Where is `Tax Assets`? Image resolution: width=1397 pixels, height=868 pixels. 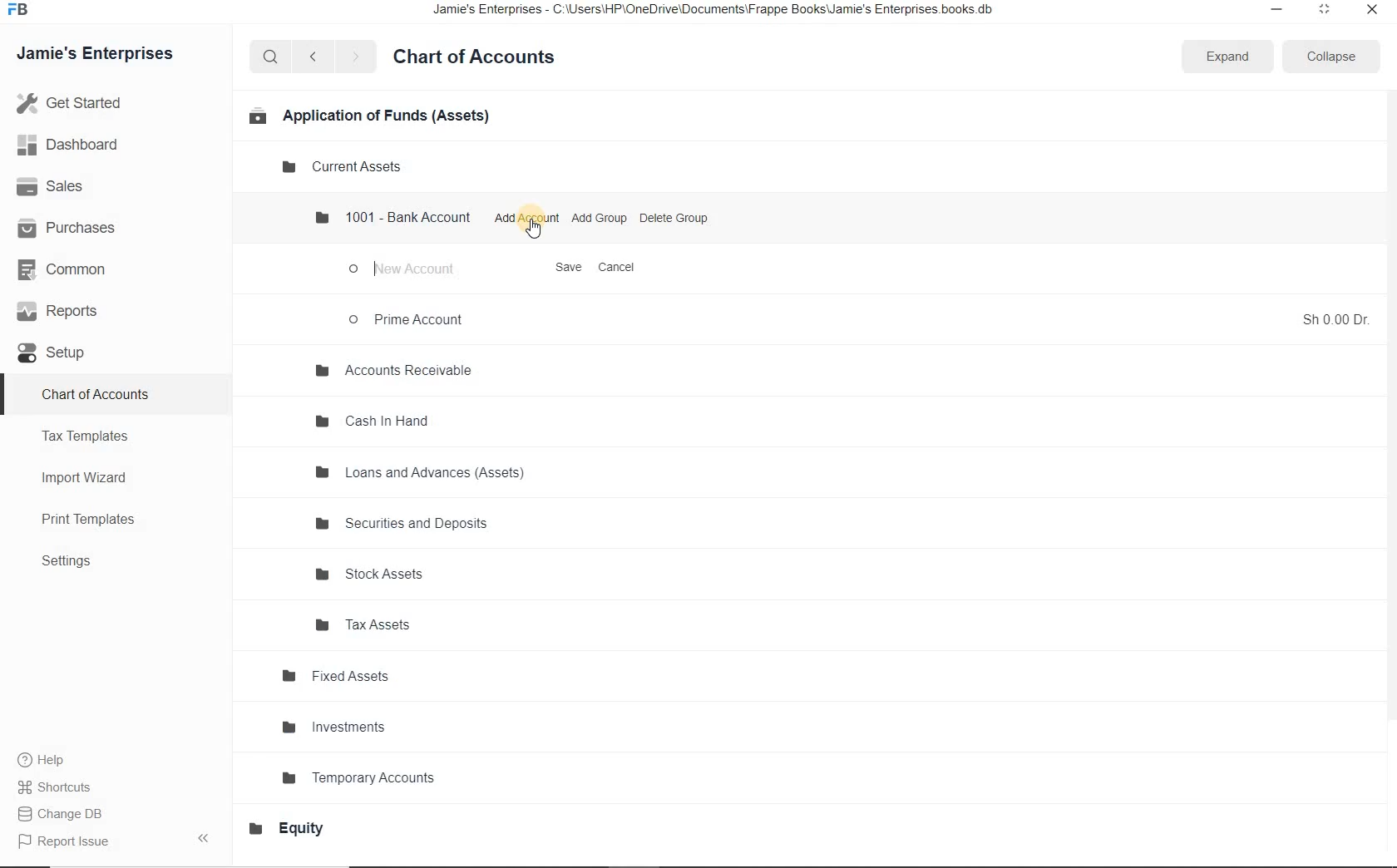
Tax Assets is located at coordinates (374, 624).